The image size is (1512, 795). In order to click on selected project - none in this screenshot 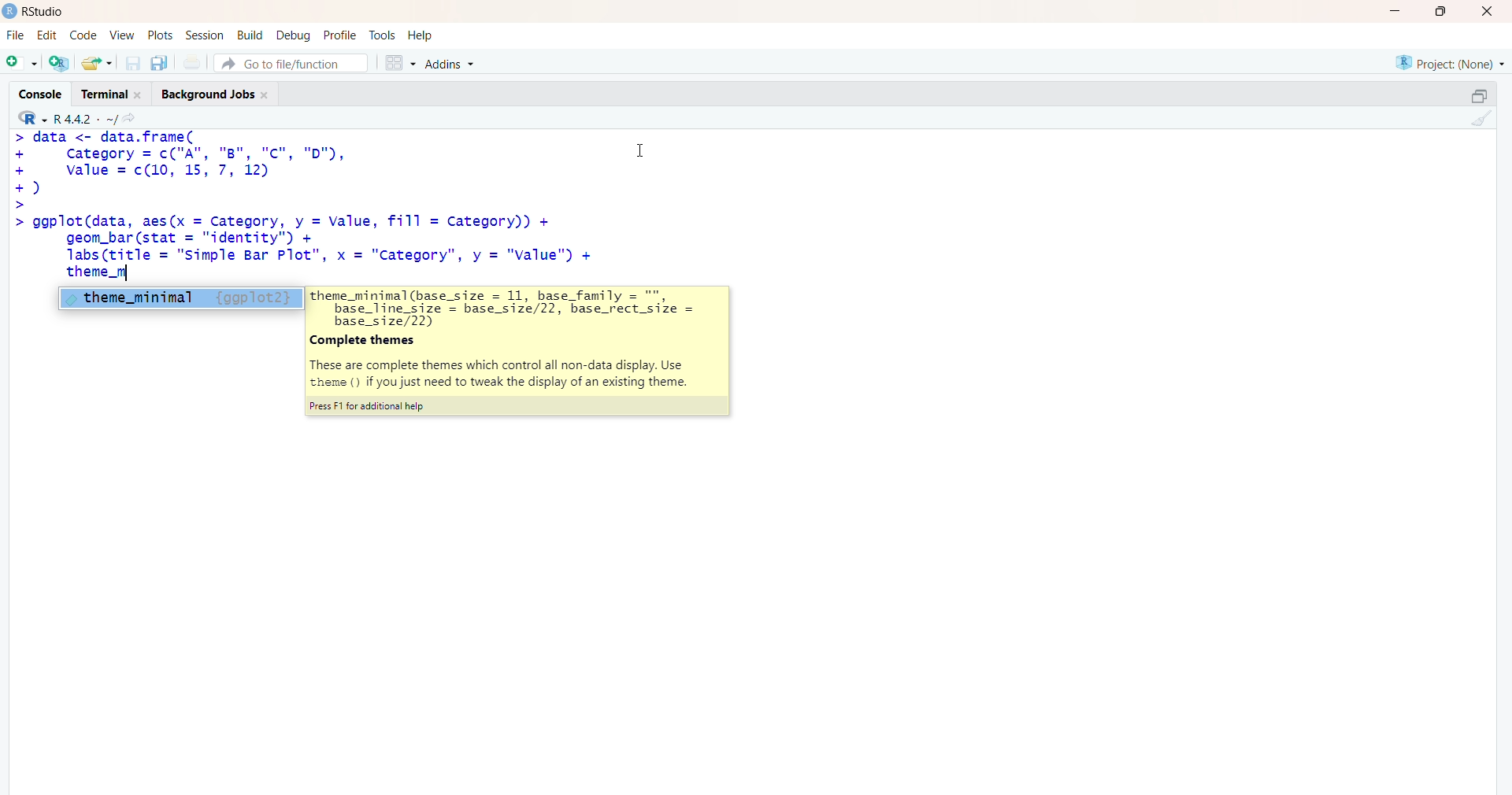, I will do `click(1452, 62)`.